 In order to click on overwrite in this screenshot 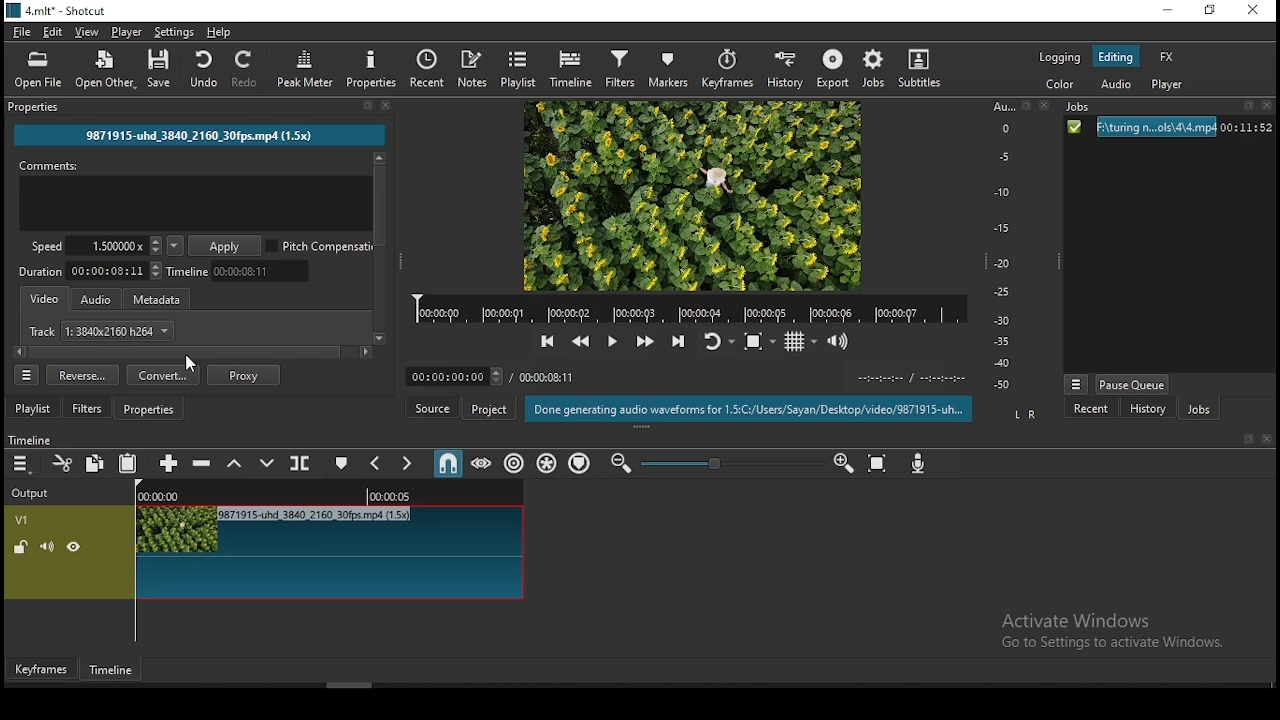, I will do `click(263, 461)`.